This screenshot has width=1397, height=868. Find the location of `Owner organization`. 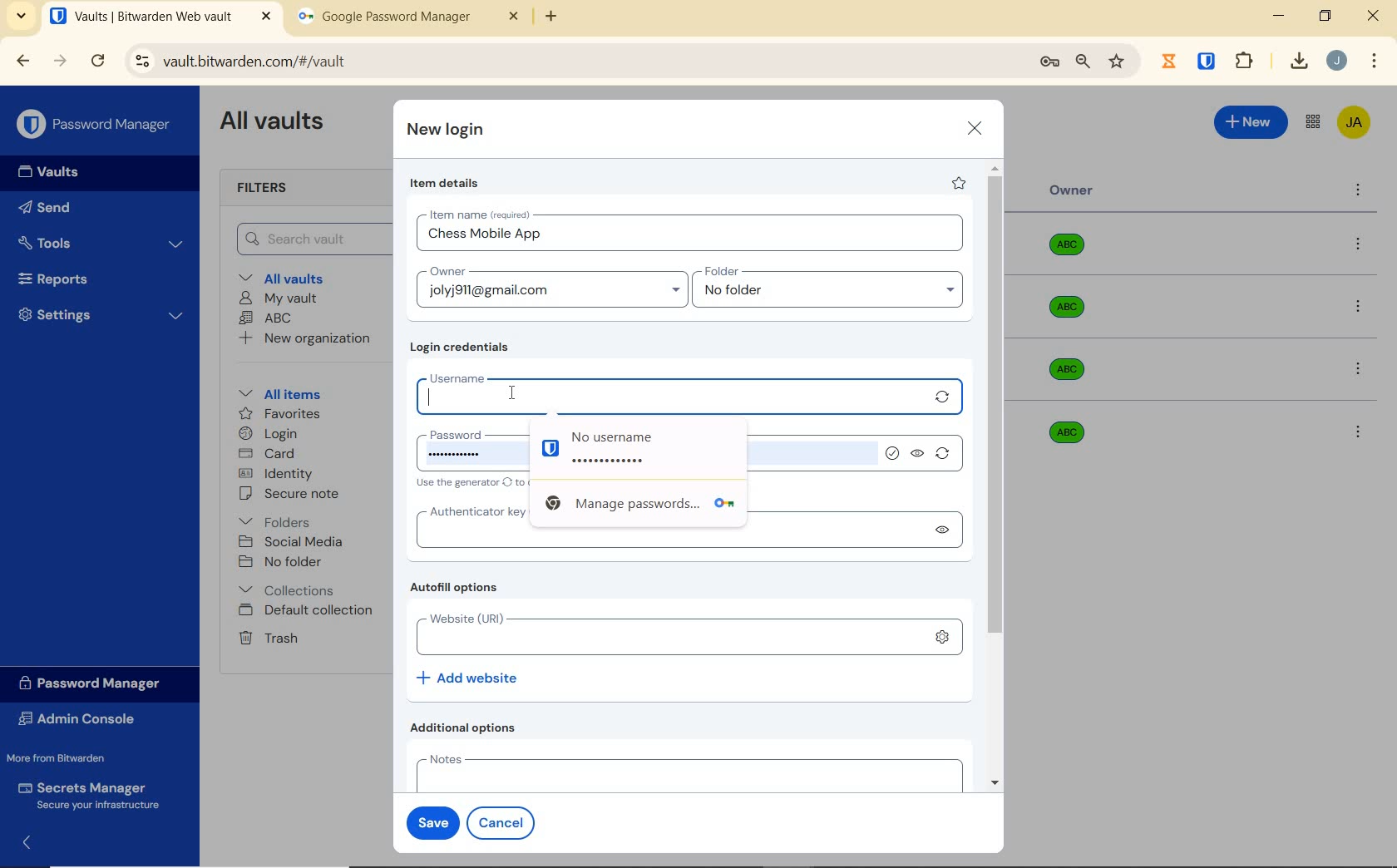

Owner organization is located at coordinates (1073, 251).